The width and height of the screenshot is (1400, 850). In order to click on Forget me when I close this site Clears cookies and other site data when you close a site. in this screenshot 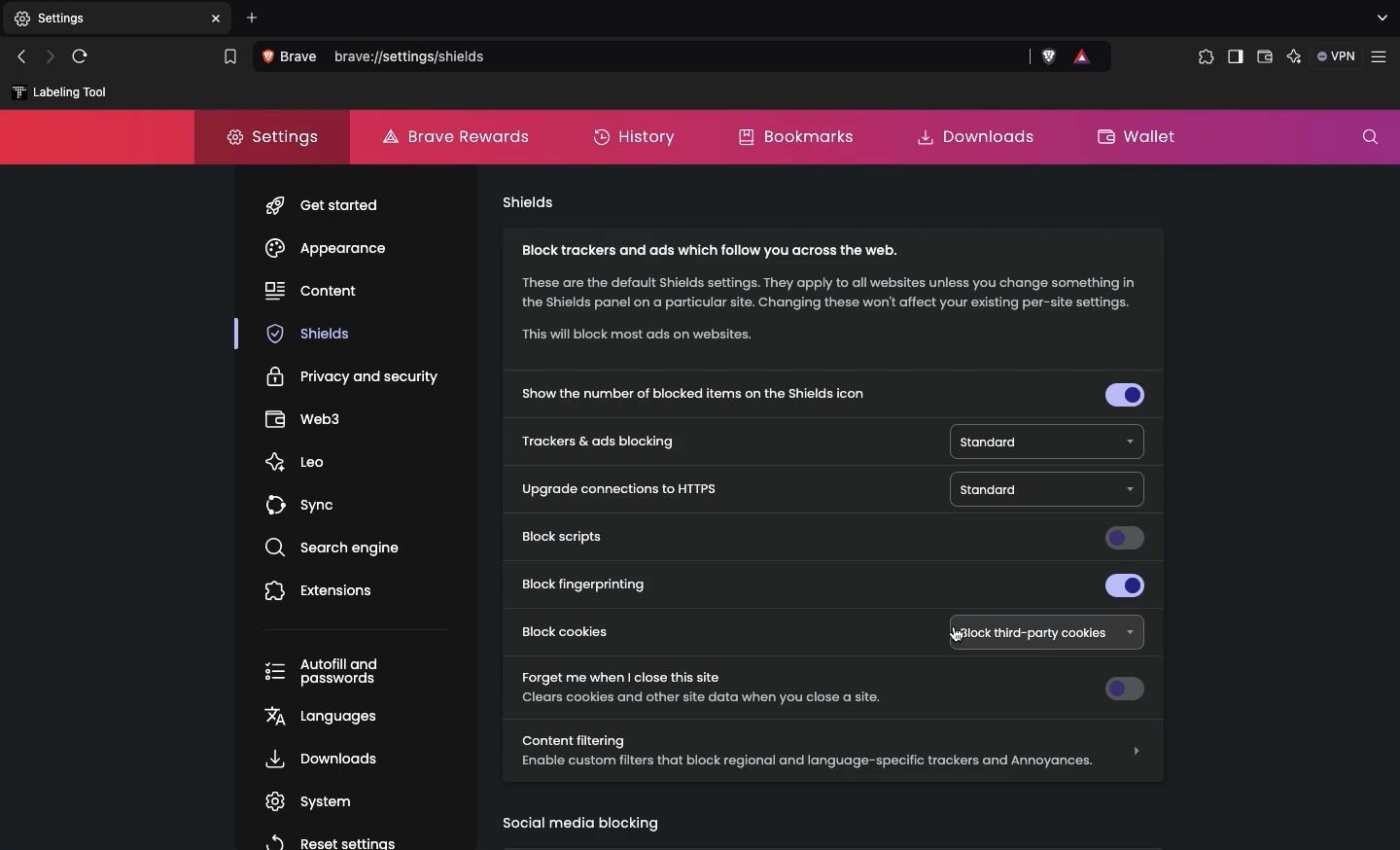, I will do `click(718, 687)`.